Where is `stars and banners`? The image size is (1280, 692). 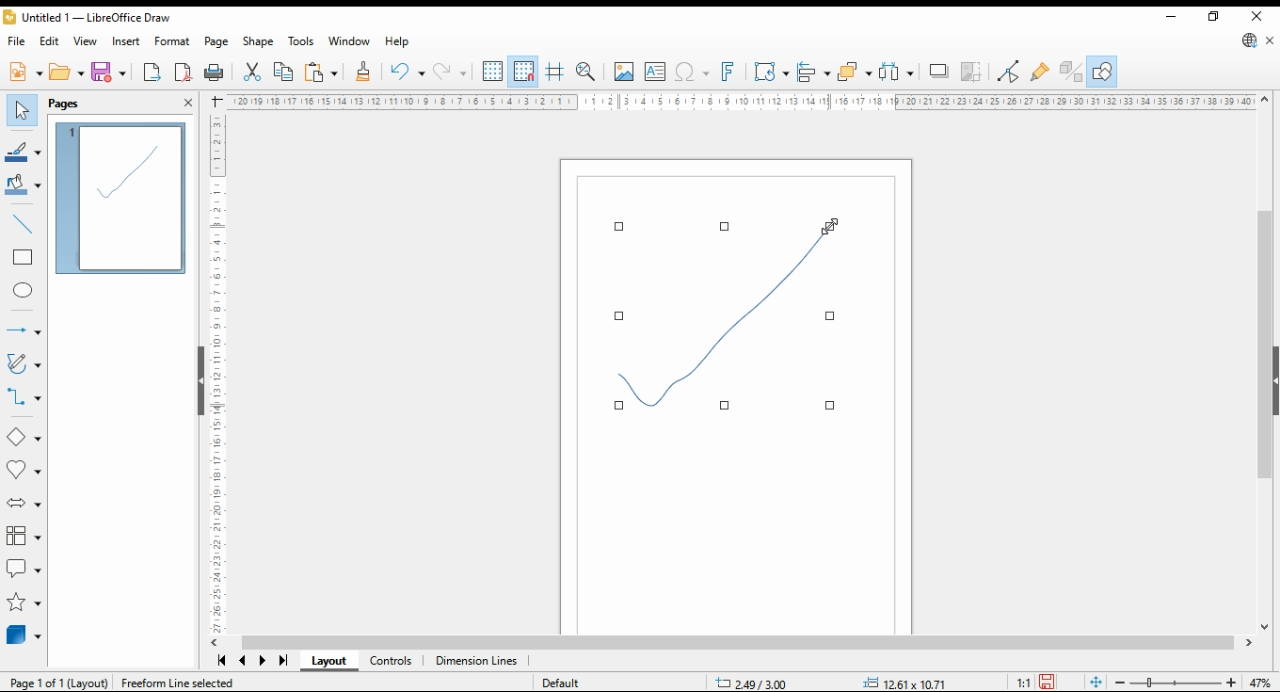
stars and banners is located at coordinates (24, 602).